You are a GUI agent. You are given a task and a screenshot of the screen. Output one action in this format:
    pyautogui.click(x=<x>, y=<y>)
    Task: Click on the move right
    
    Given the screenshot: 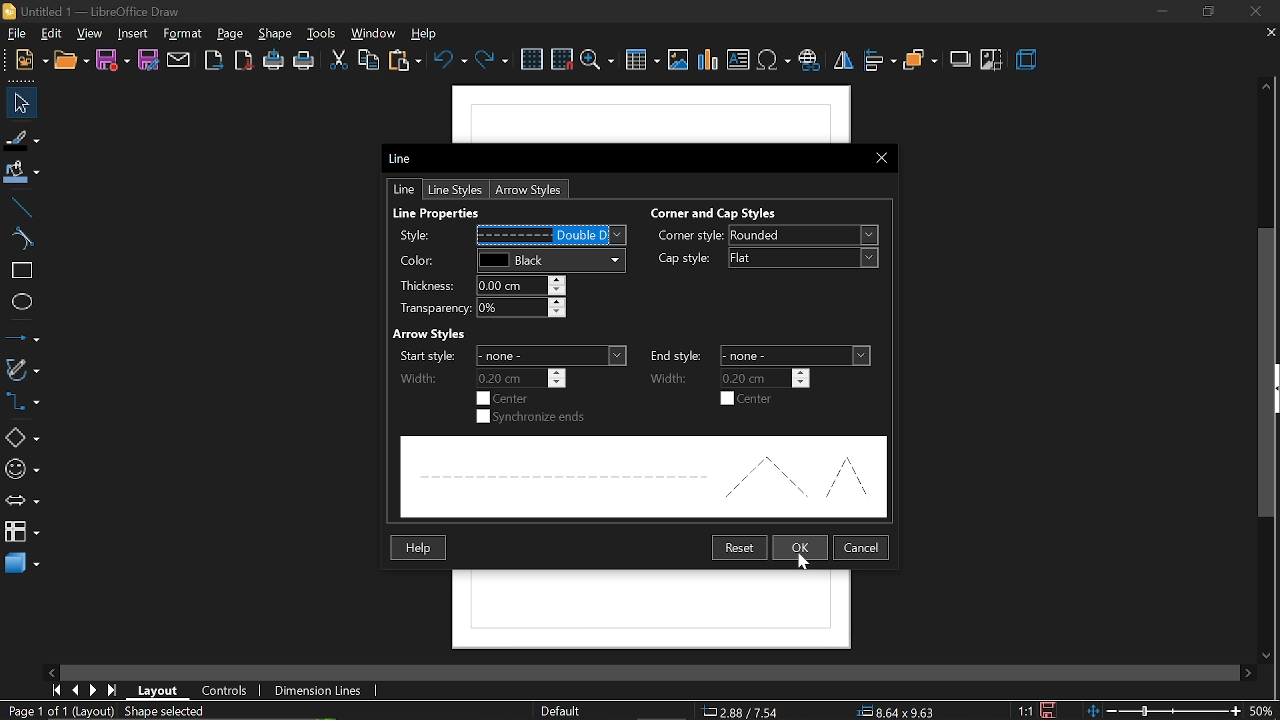 What is the action you would take?
    pyautogui.click(x=1250, y=671)
    